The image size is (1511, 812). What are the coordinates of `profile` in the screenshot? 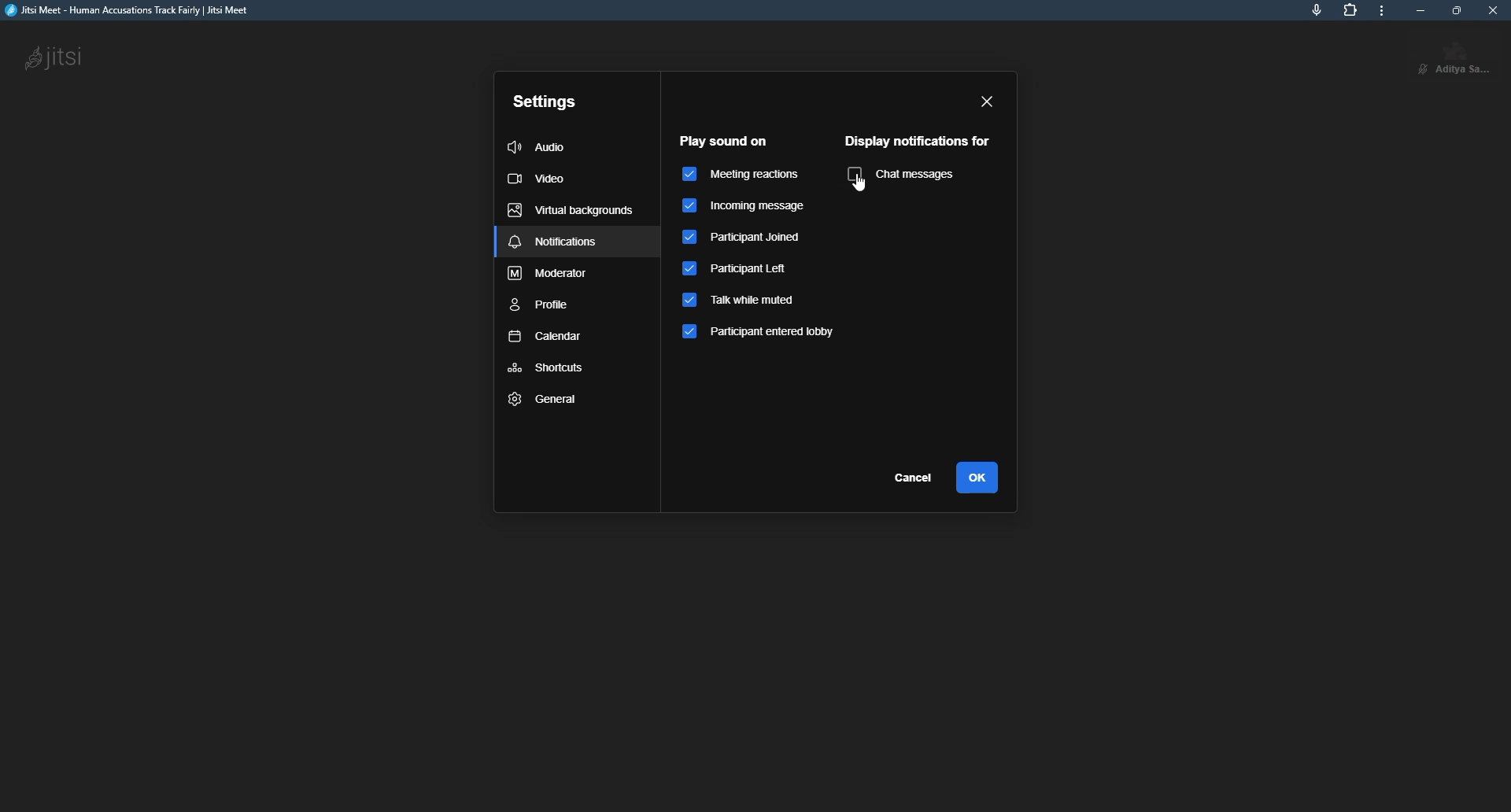 It's located at (541, 307).